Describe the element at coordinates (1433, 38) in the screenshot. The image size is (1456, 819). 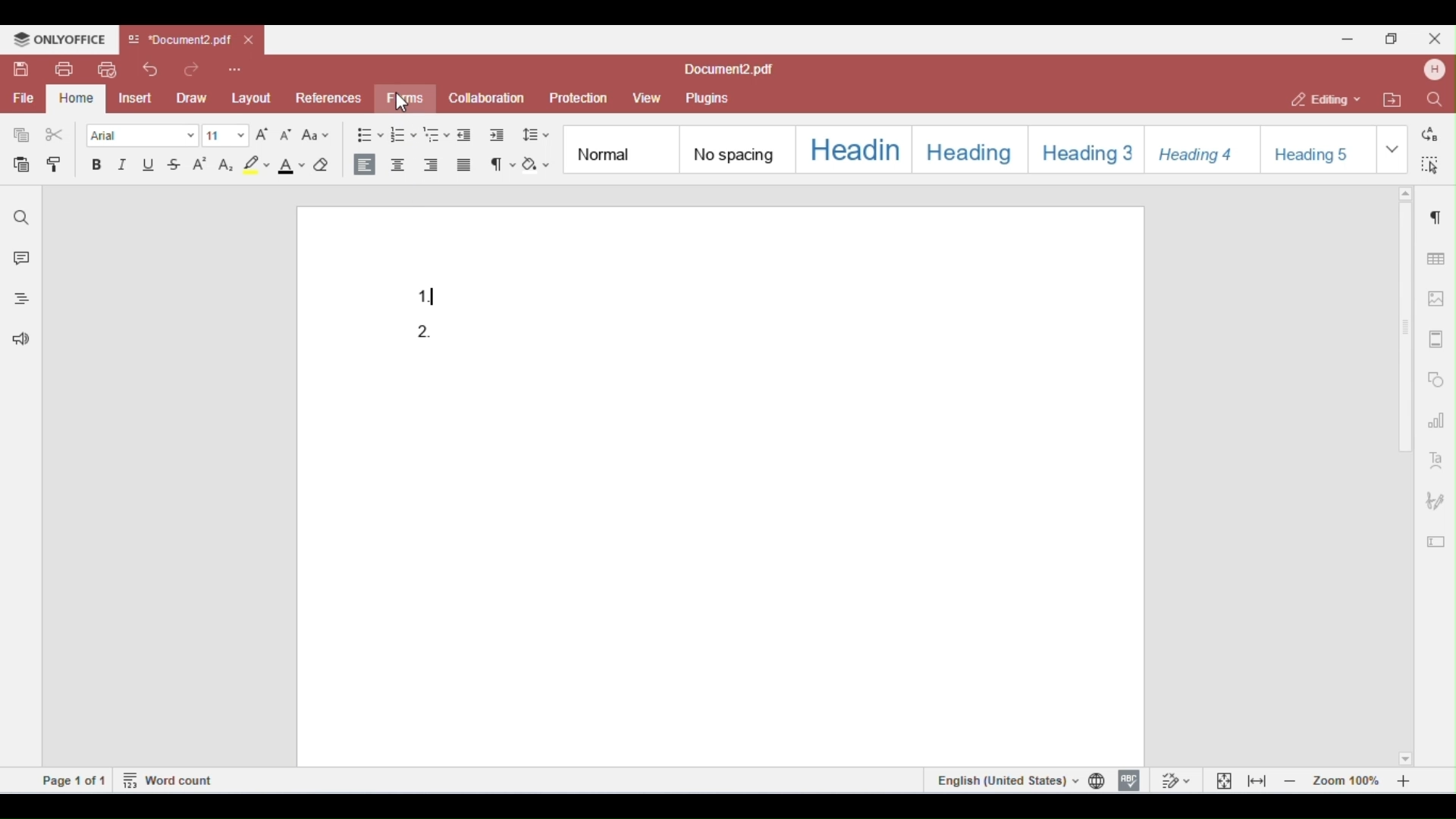
I see `close` at that location.